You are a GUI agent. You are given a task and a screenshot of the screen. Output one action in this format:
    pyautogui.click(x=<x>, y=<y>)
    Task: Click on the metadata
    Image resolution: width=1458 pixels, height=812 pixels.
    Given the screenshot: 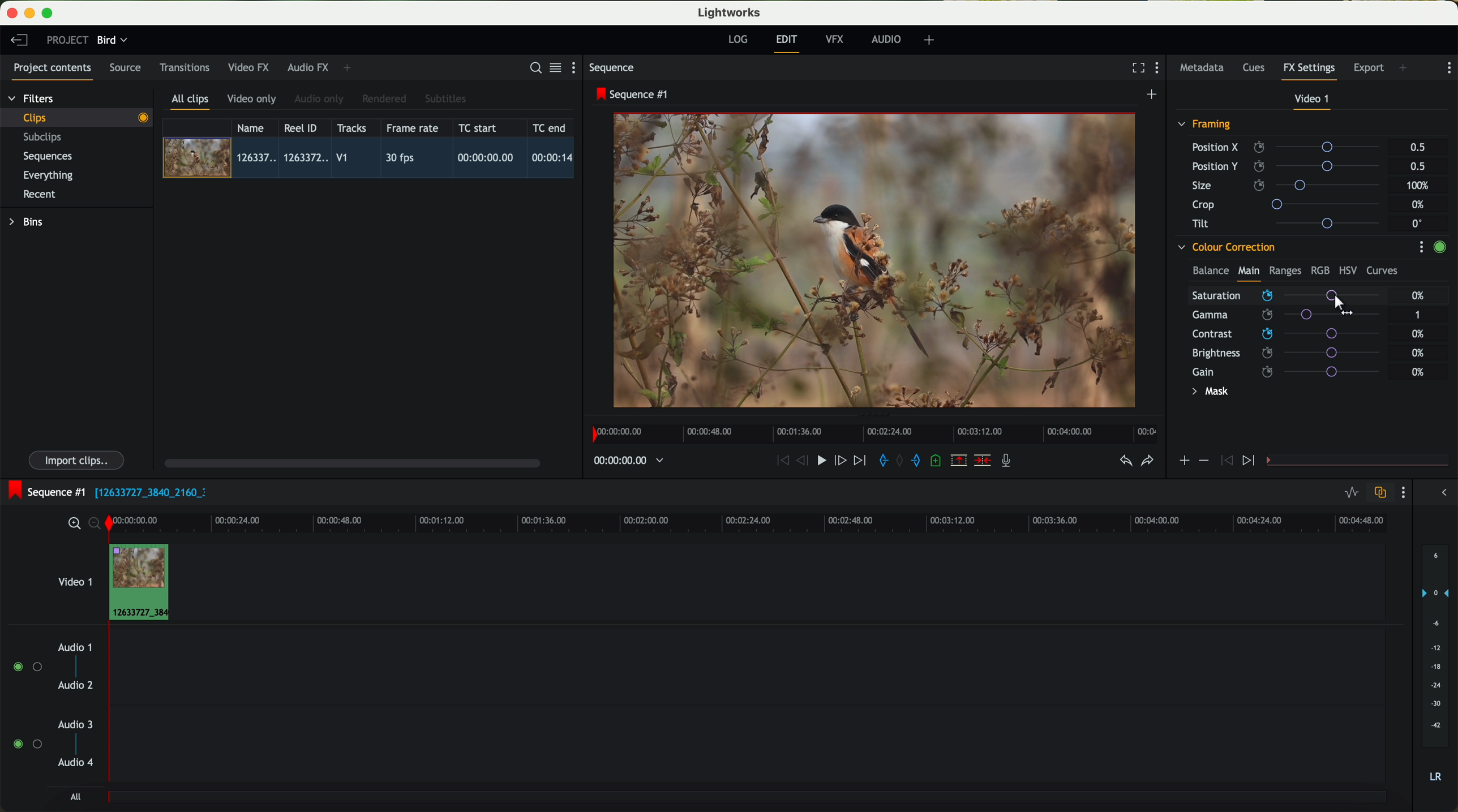 What is the action you would take?
    pyautogui.click(x=1204, y=68)
    